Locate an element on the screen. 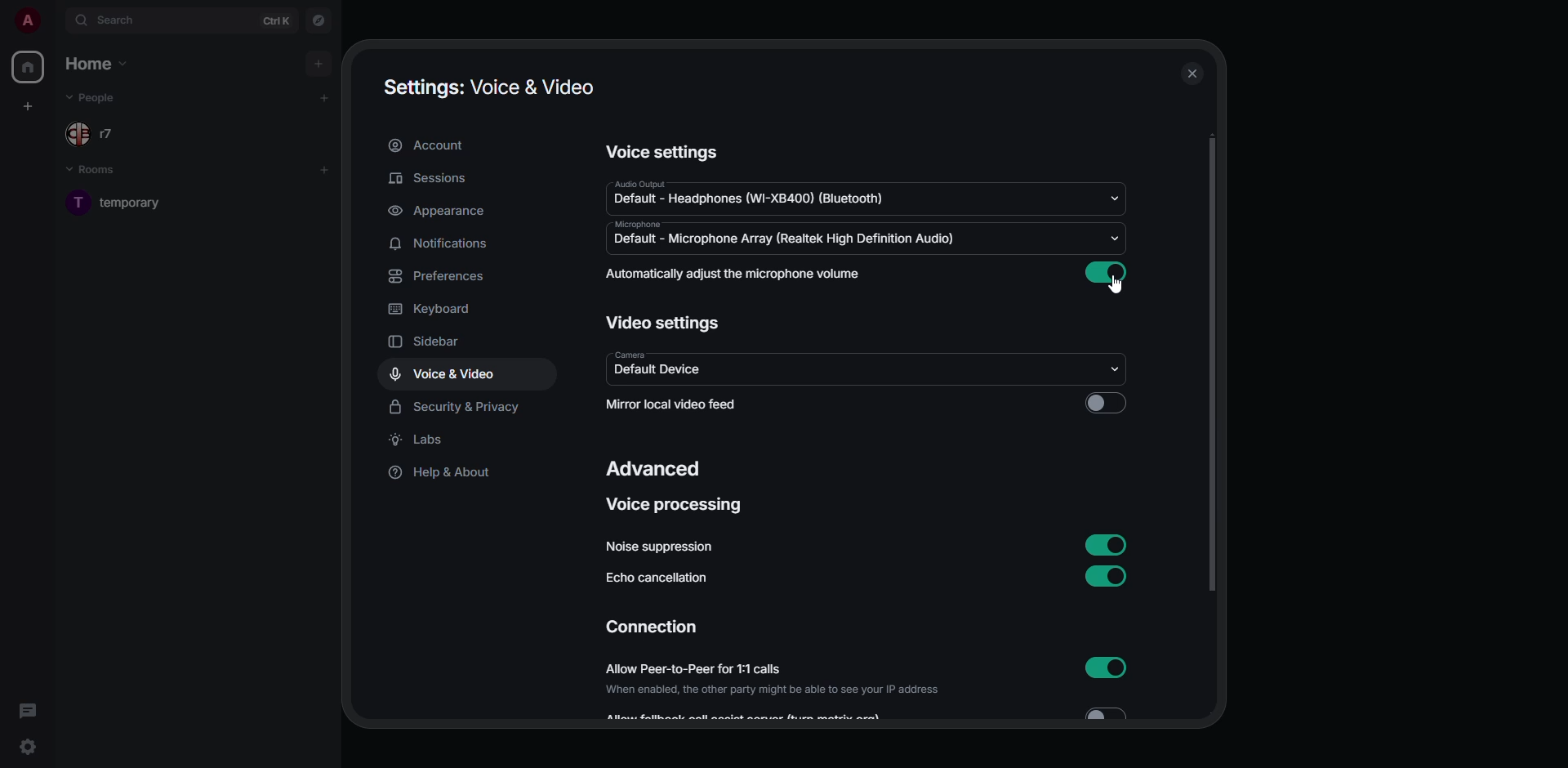 This screenshot has width=1568, height=768. sessions is located at coordinates (433, 177).